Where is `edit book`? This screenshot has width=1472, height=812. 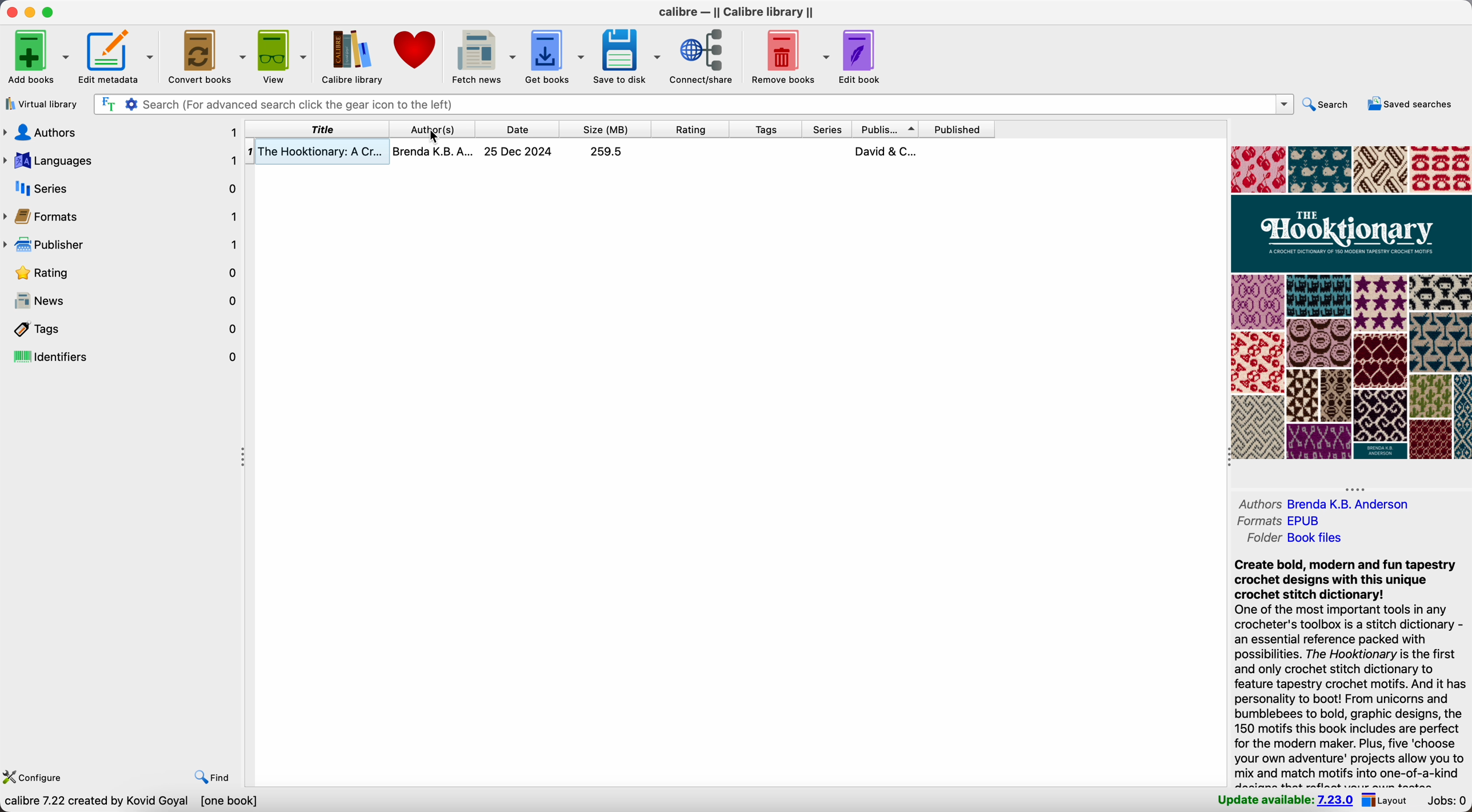 edit book is located at coordinates (858, 58).